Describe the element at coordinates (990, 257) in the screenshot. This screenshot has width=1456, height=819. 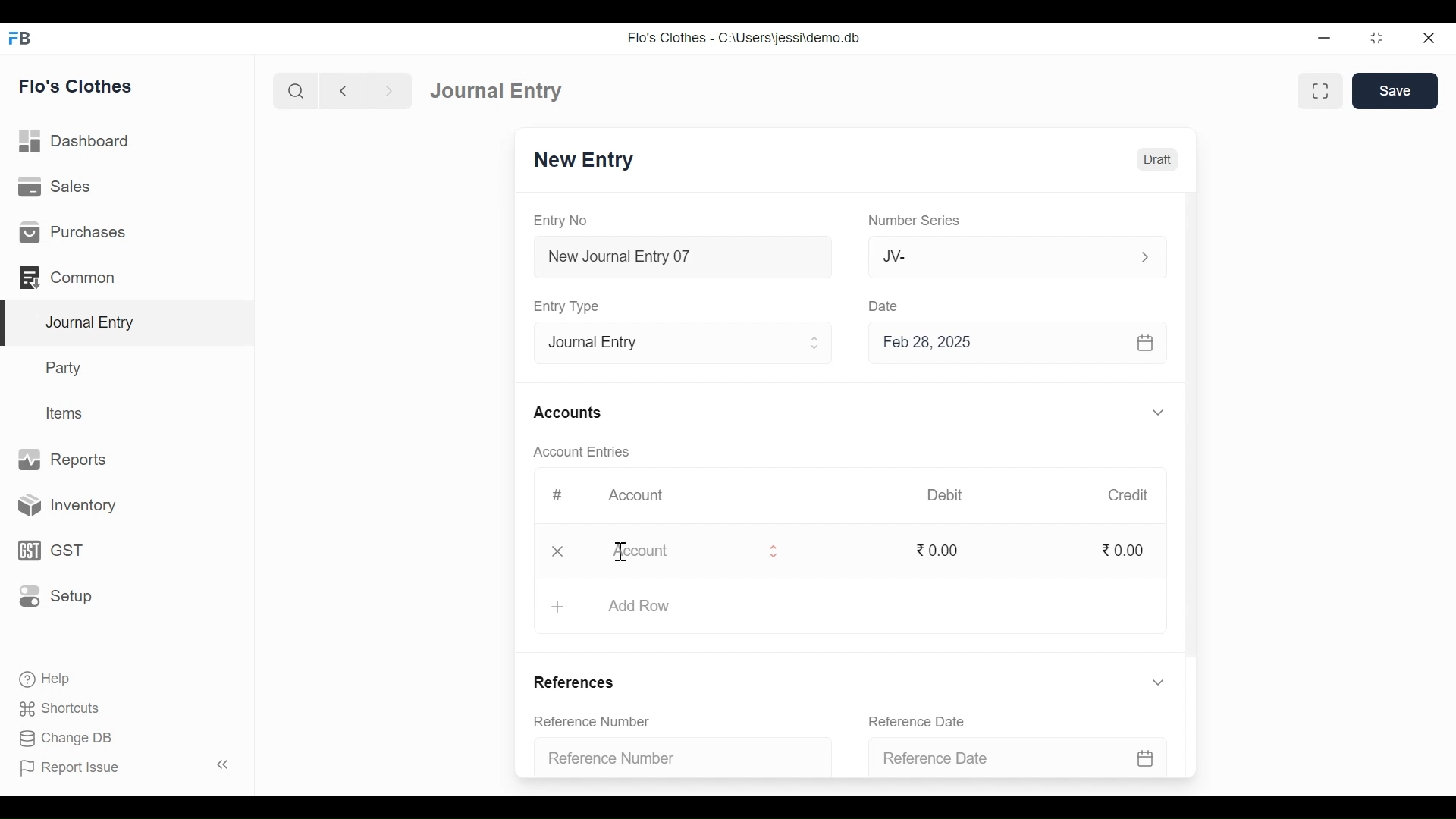
I see `JV-` at that location.